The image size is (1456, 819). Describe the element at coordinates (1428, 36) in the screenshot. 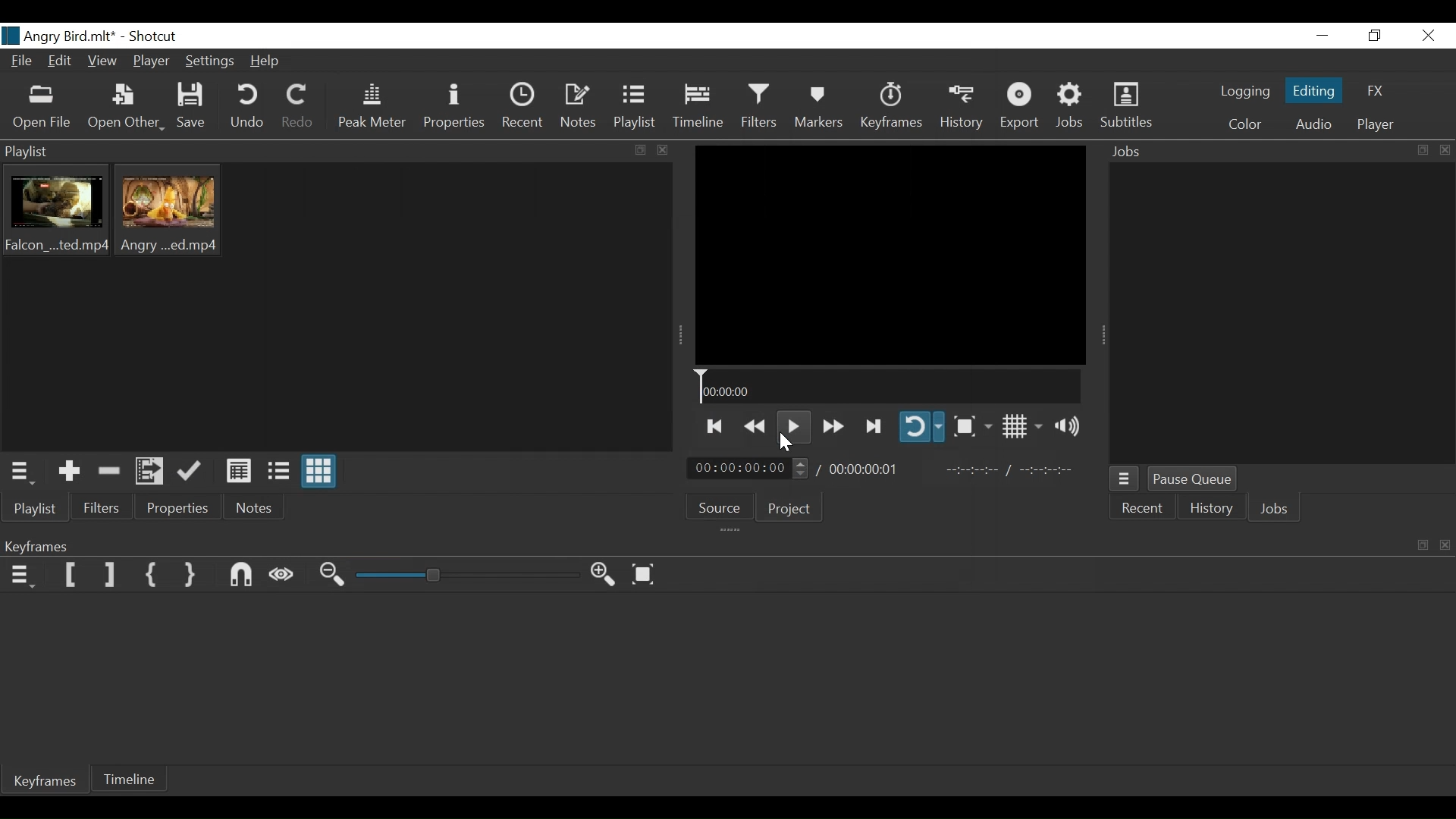

I see `Close` at that location.